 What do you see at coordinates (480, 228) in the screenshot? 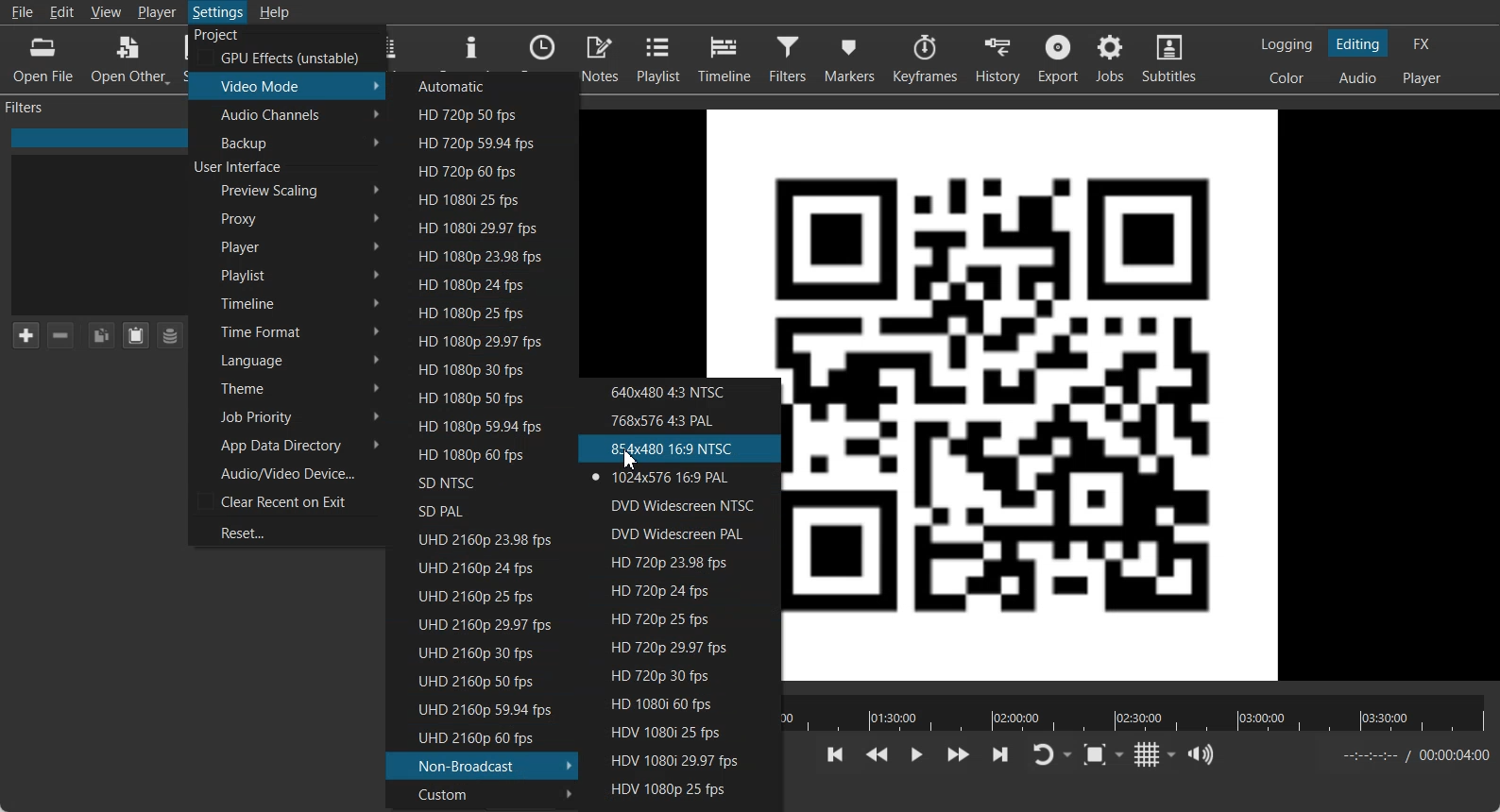
I see `HD 1080i 29.98 fps` at bounding box center [480, 228].